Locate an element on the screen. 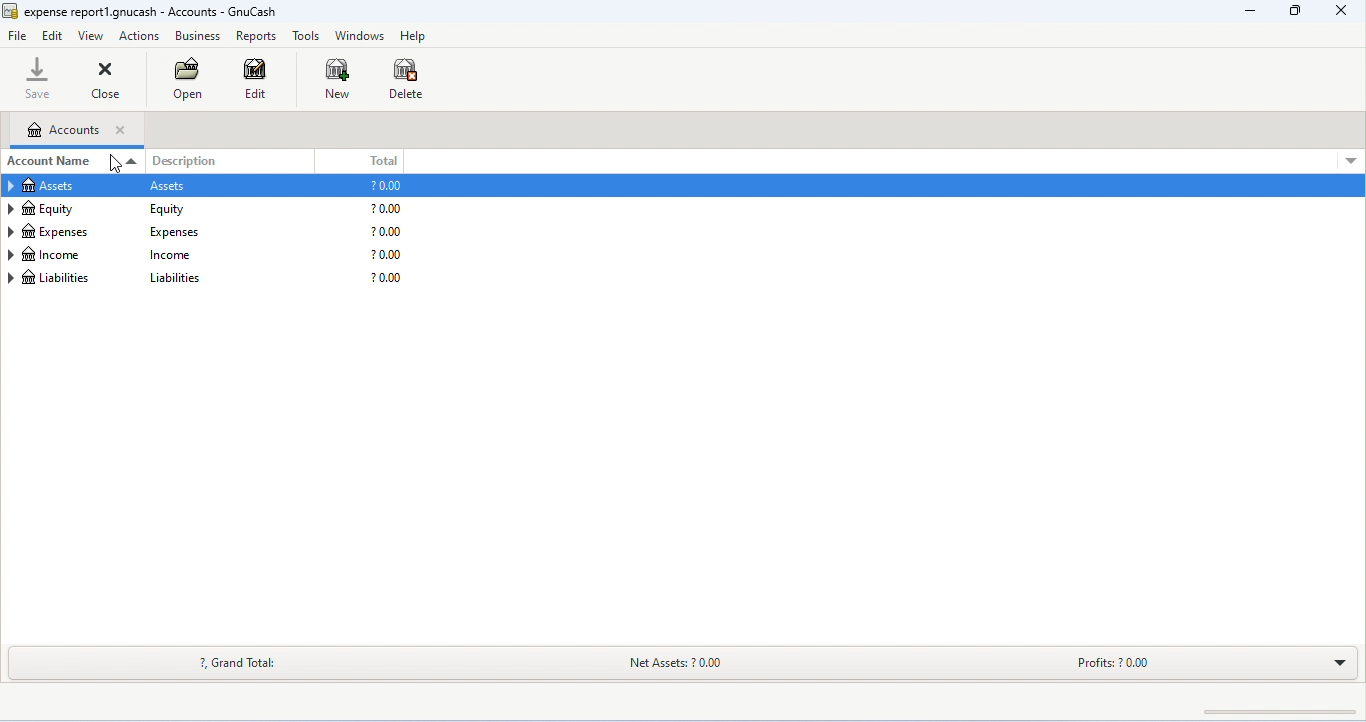  arrow is located at coordinates (9, 209).